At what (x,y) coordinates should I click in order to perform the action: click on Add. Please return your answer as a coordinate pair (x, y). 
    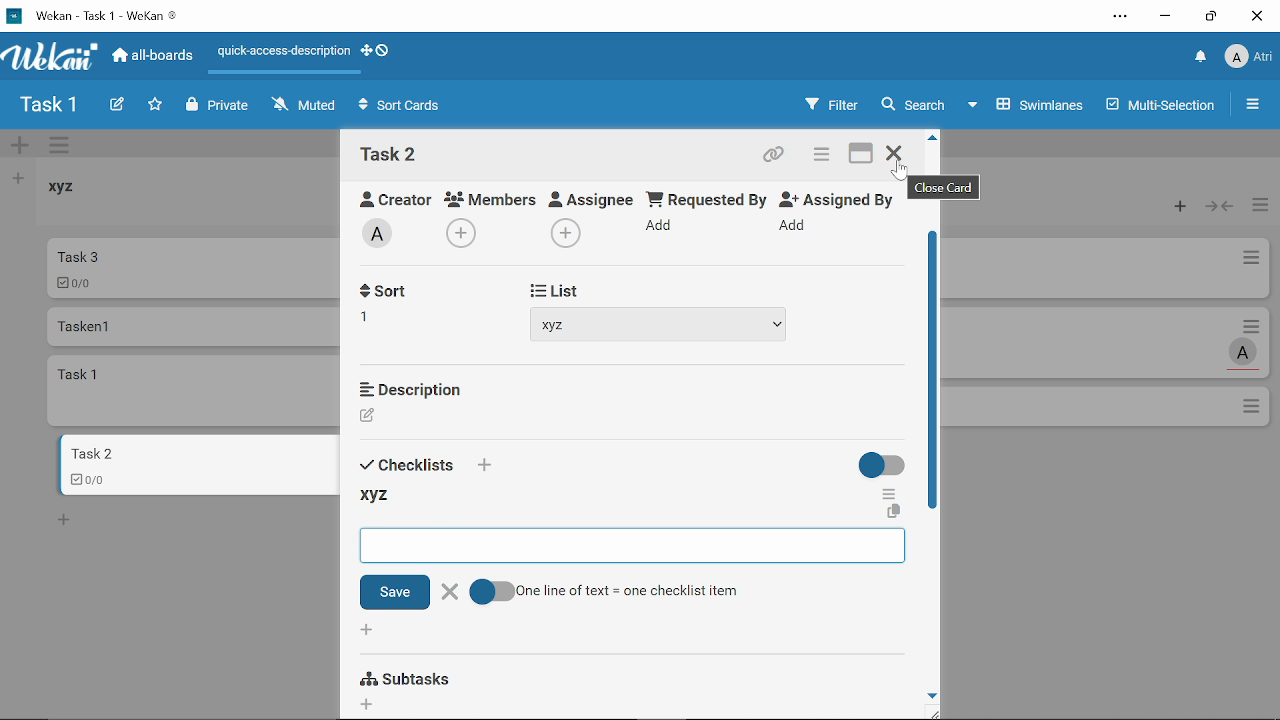
    Looking at the image, I should click on (796, 226).